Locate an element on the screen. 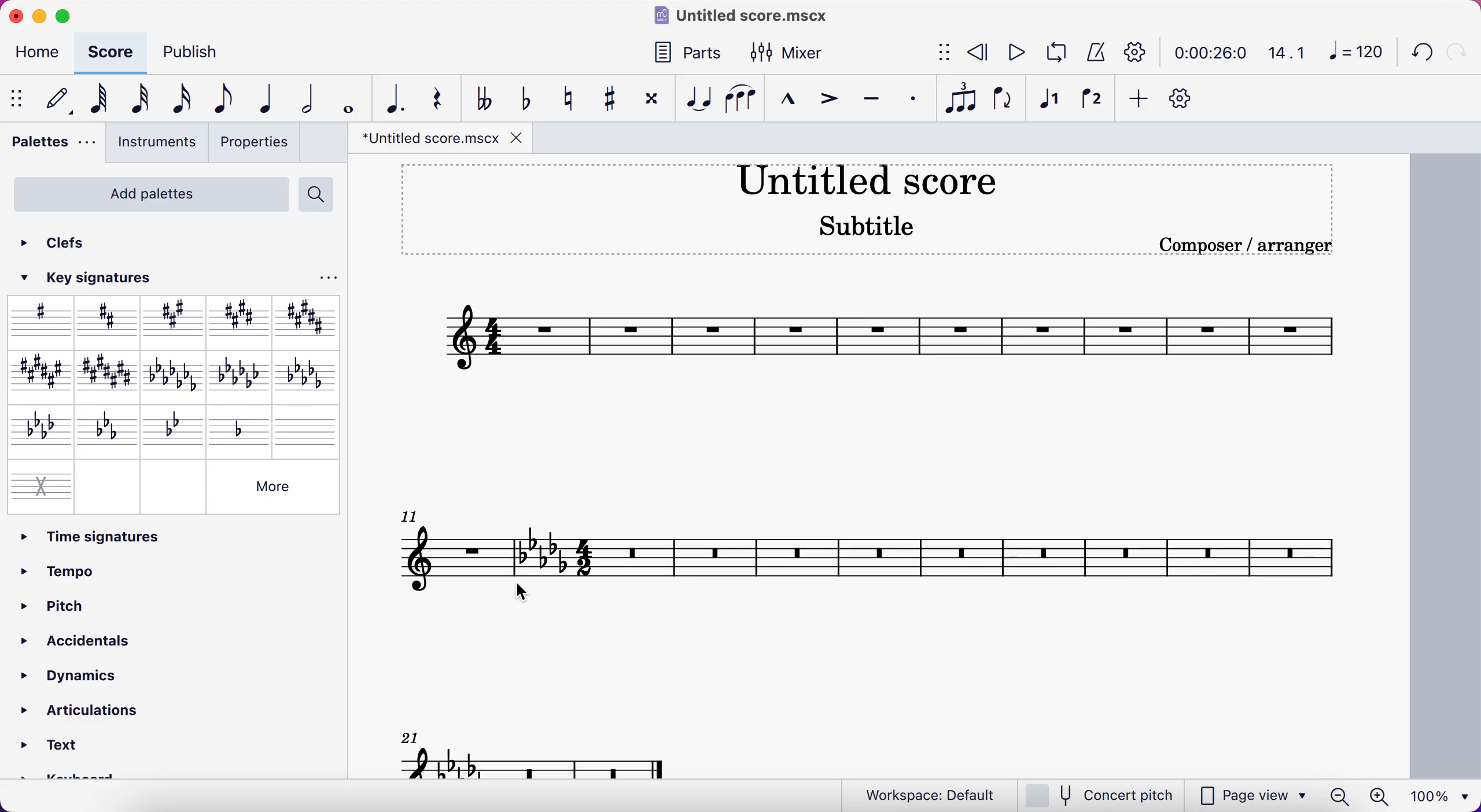 The image size is (1481, 812). sharp is located at coordinates (39, 320).